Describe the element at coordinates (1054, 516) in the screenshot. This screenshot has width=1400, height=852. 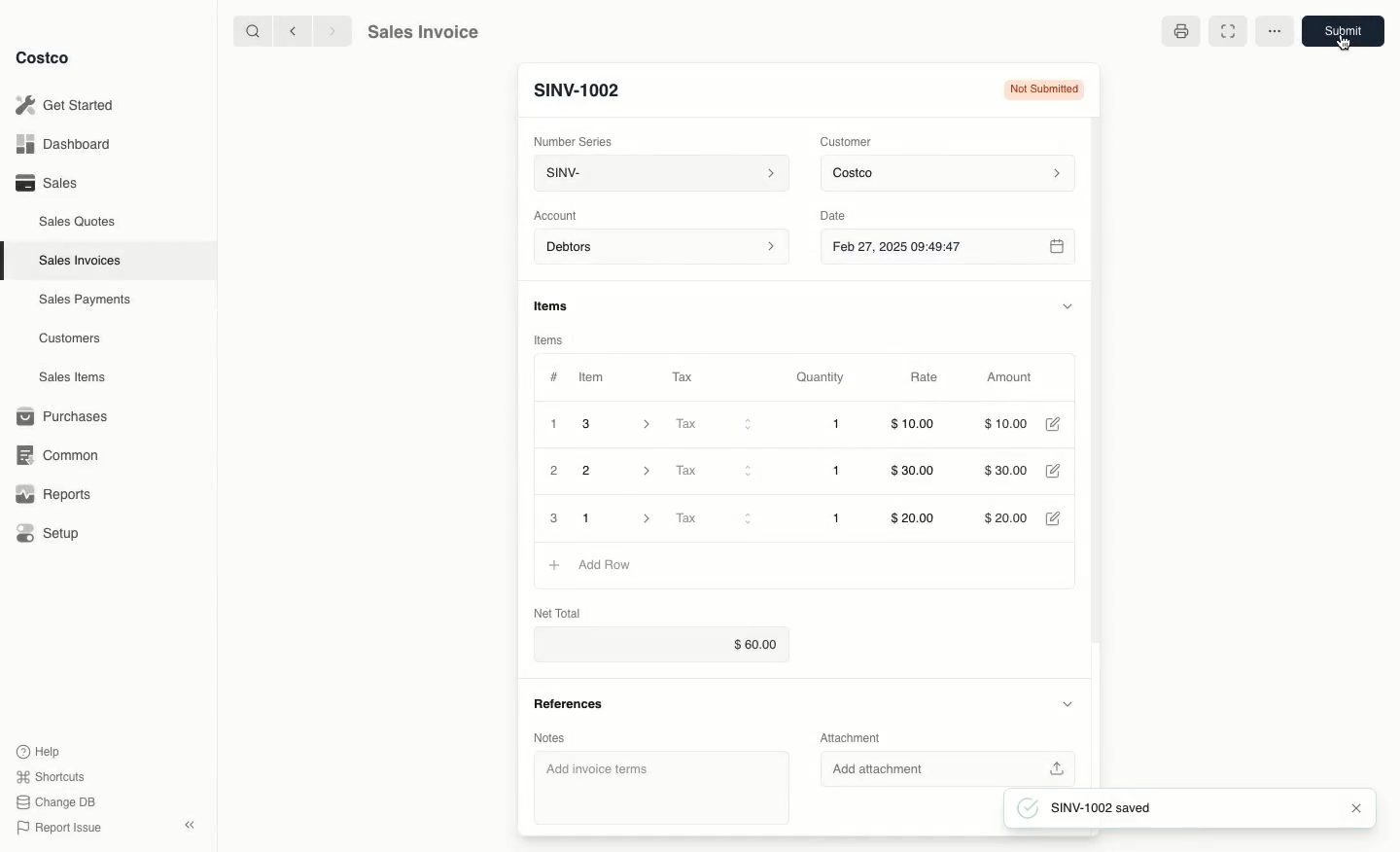
I see `Edit` at that location.